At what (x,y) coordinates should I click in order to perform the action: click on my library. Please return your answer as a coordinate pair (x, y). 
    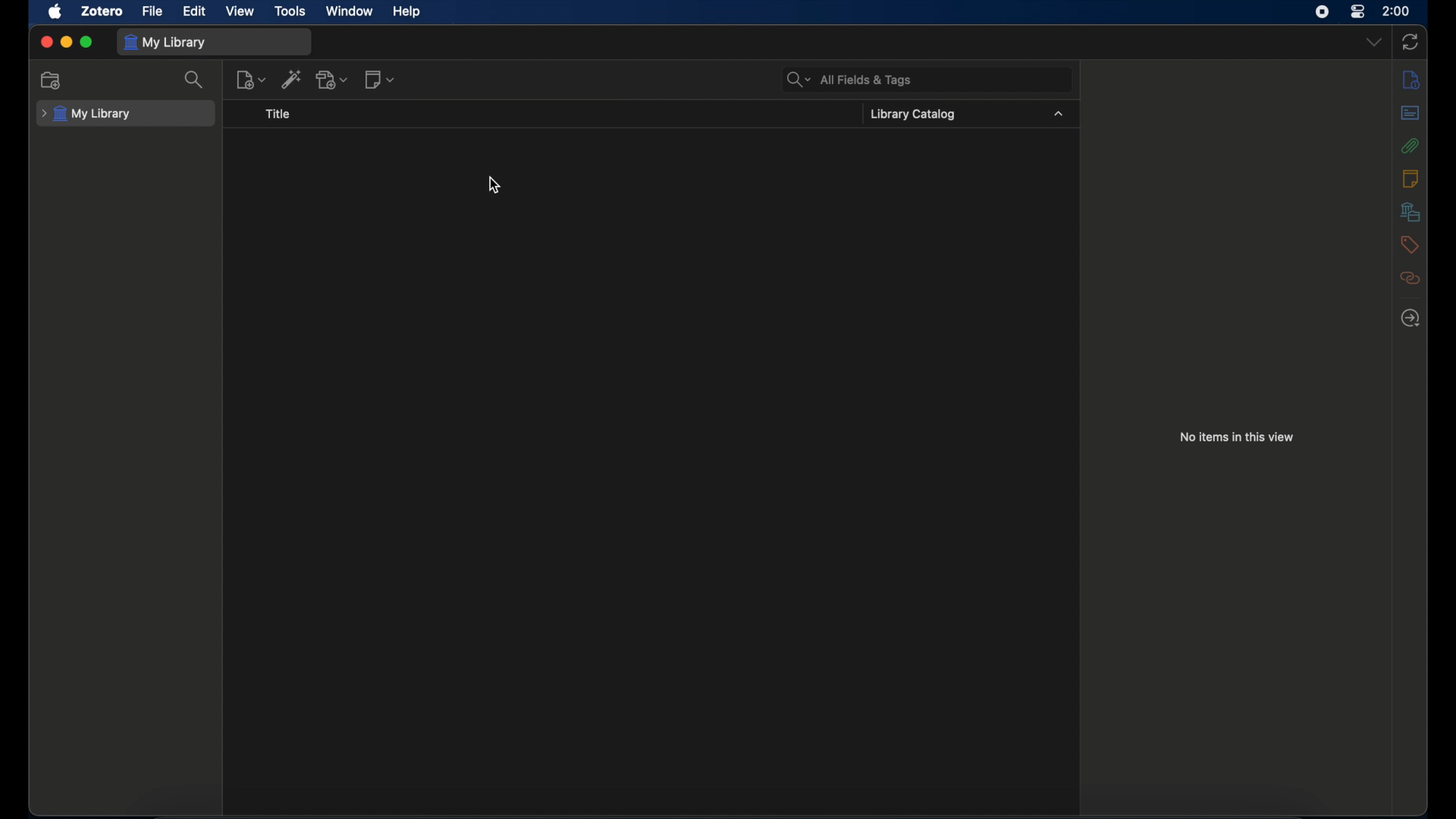
    Looking at the image, I should click on (164, 42).